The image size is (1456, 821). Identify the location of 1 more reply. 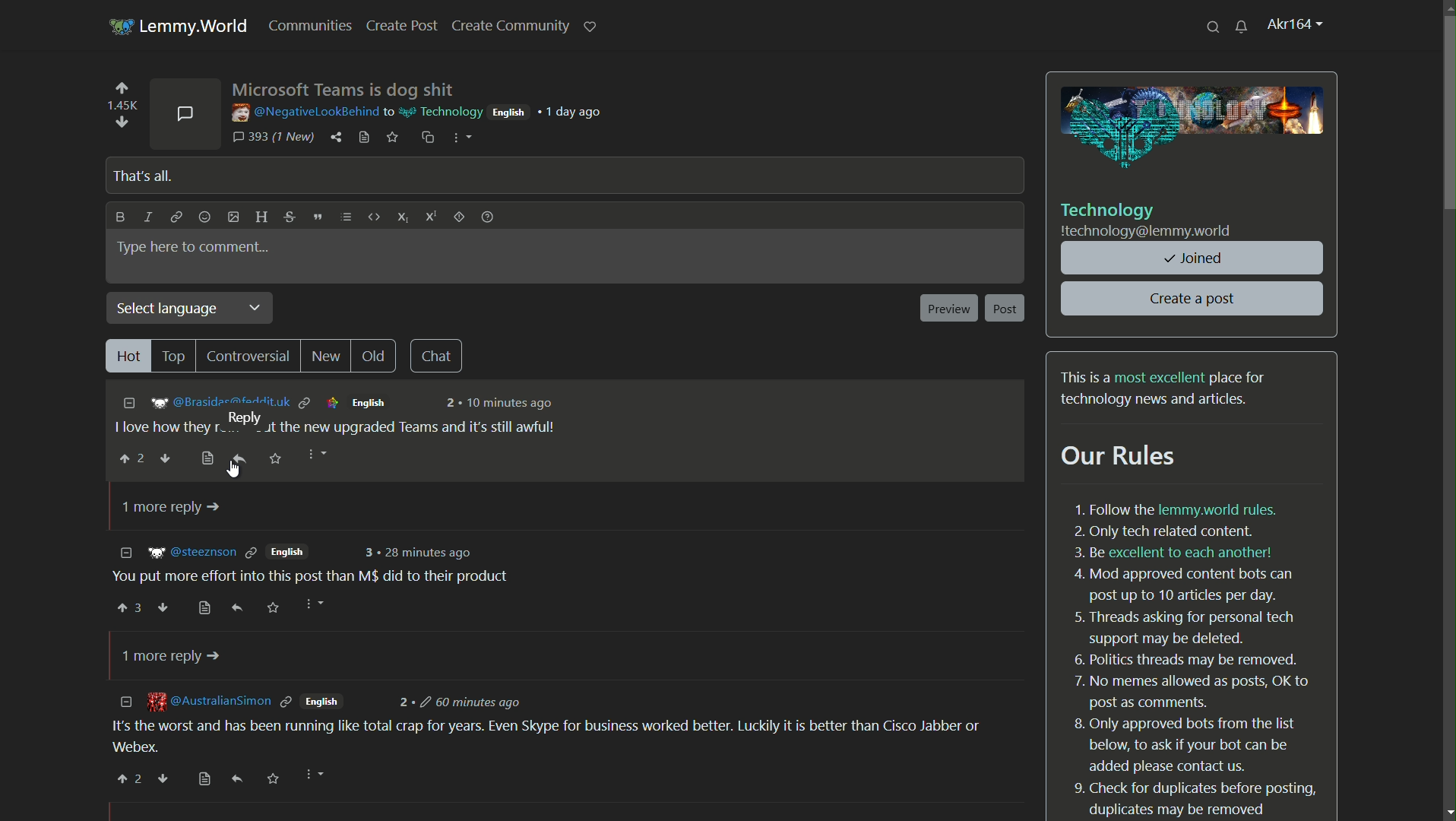
(167, 508).